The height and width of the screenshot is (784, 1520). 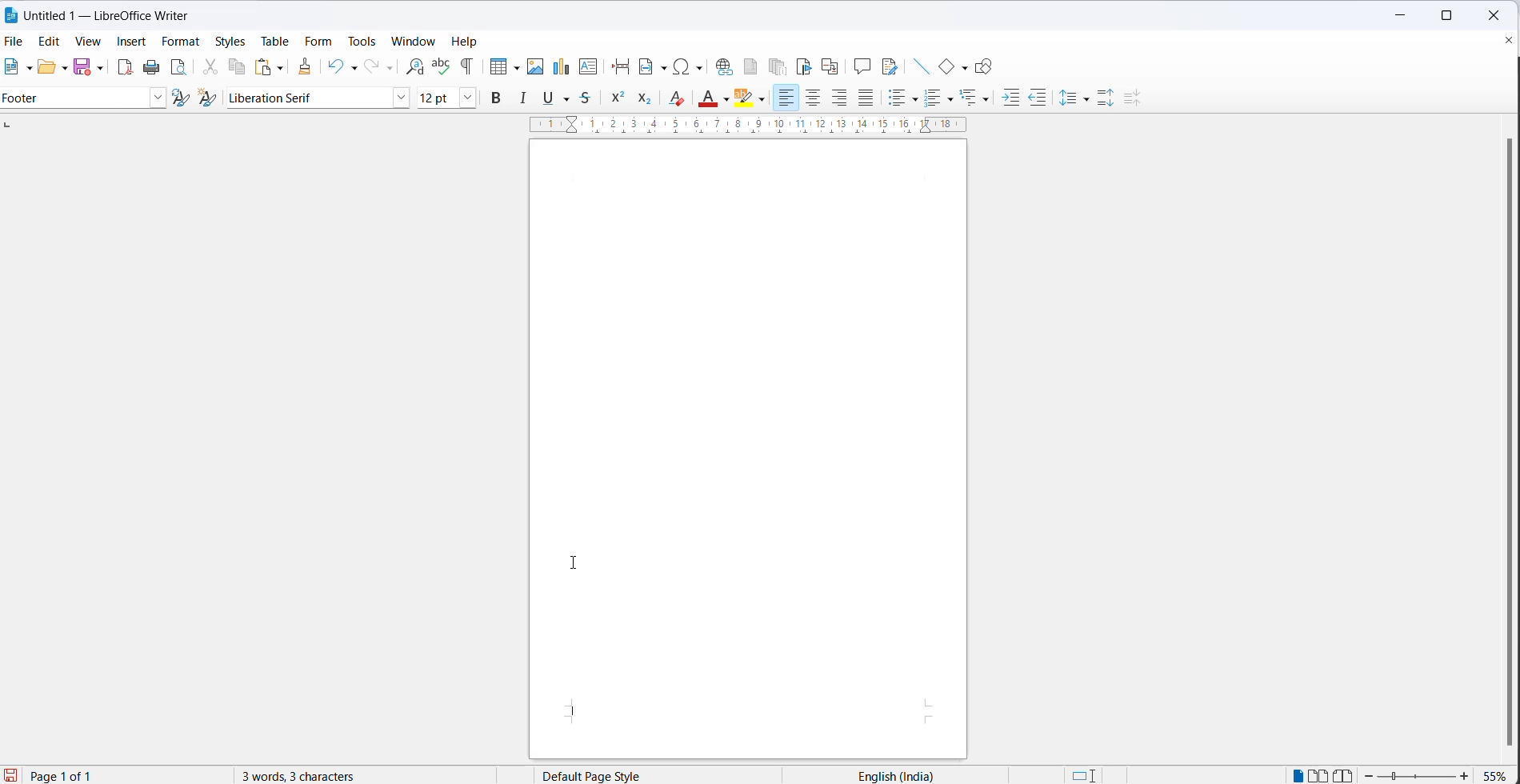 I want to click on current page, so click(x=69, y=776).